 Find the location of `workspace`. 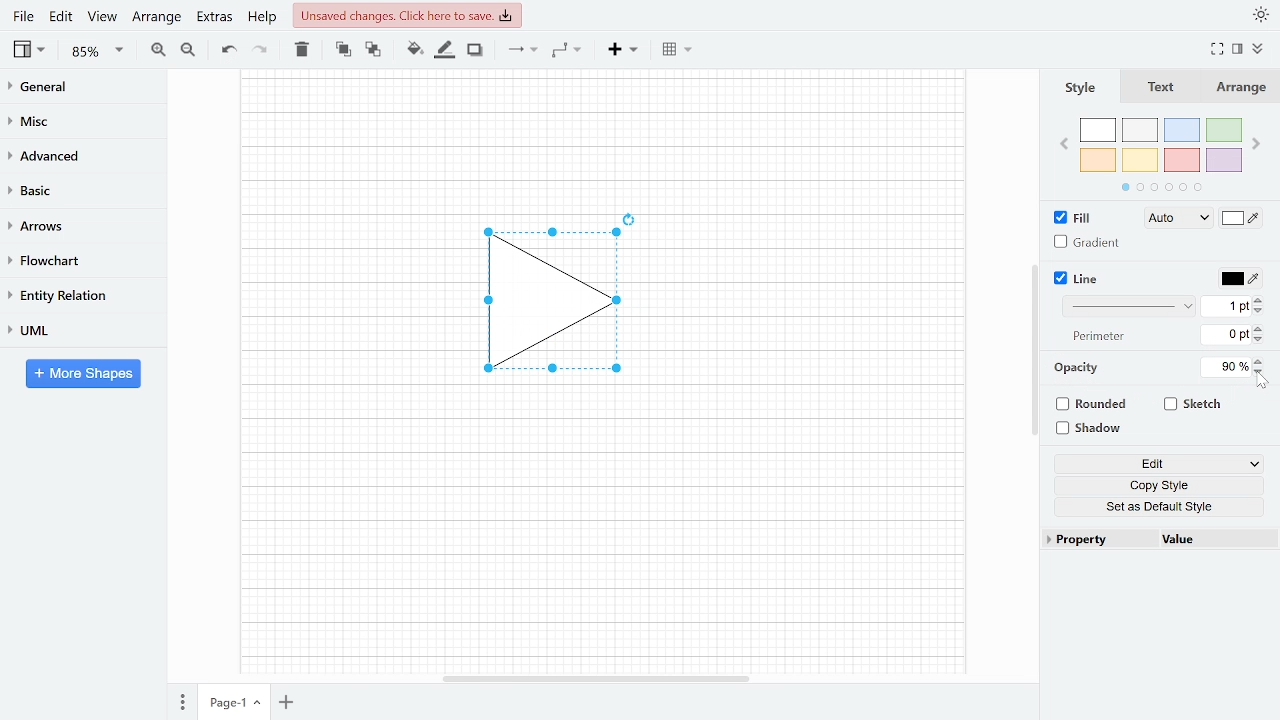

workspace is located at coordinates (819, 302).